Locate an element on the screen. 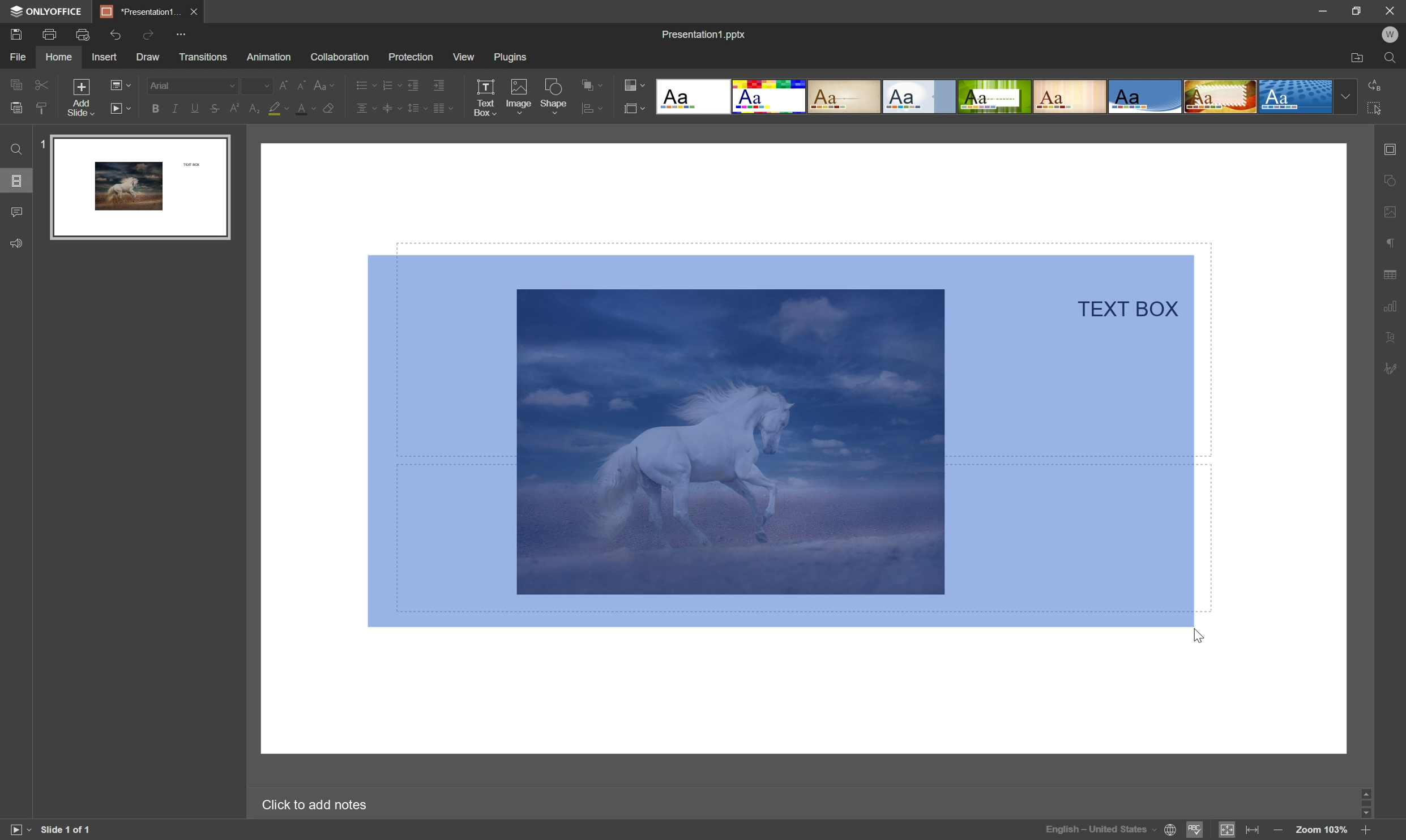 Image resolution: width=1406 pixels, height=840 pixels. numbering is located at coordinates (390, 85).